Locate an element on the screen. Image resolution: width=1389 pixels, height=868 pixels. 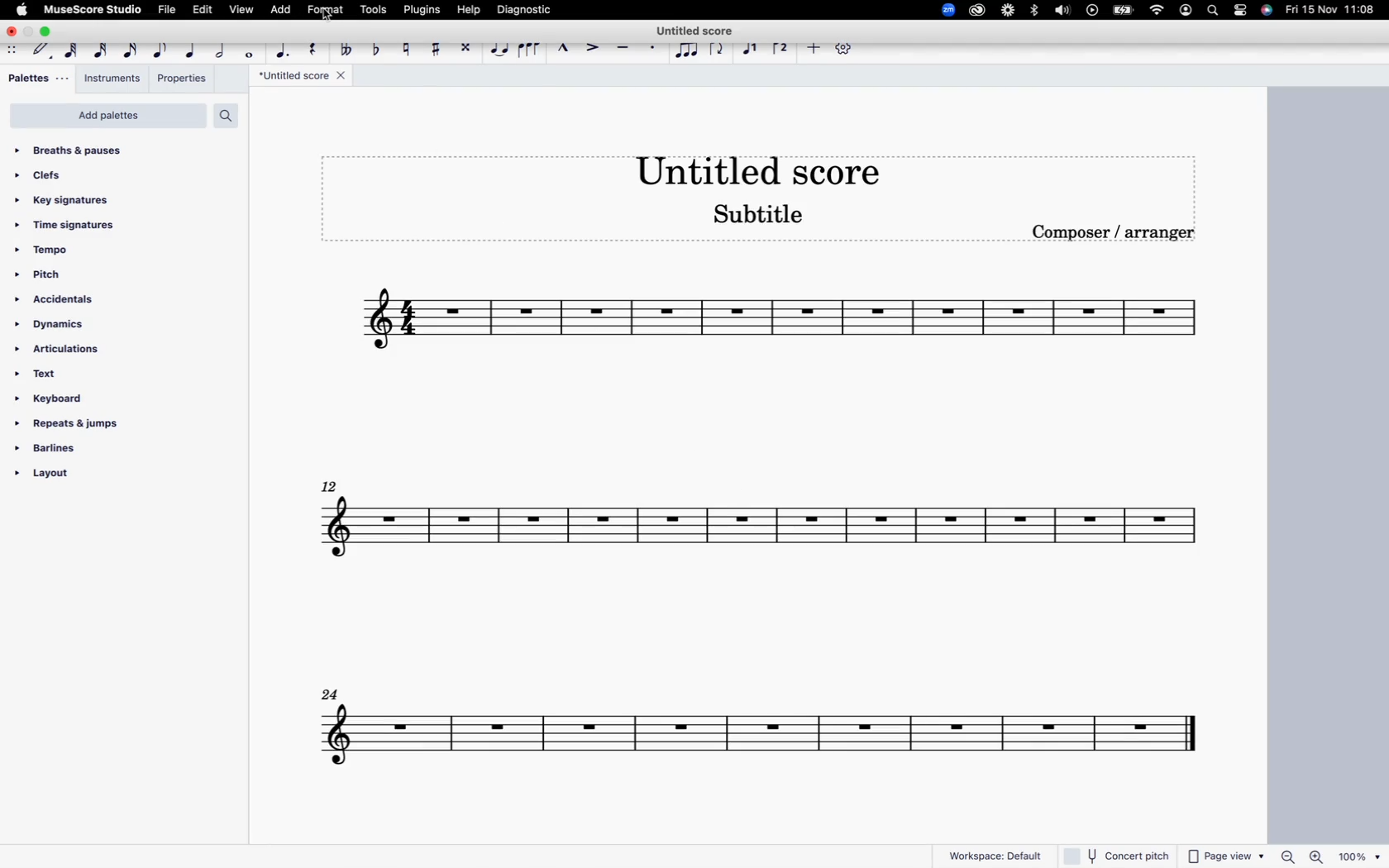
add is located at coordinates (283, 11).